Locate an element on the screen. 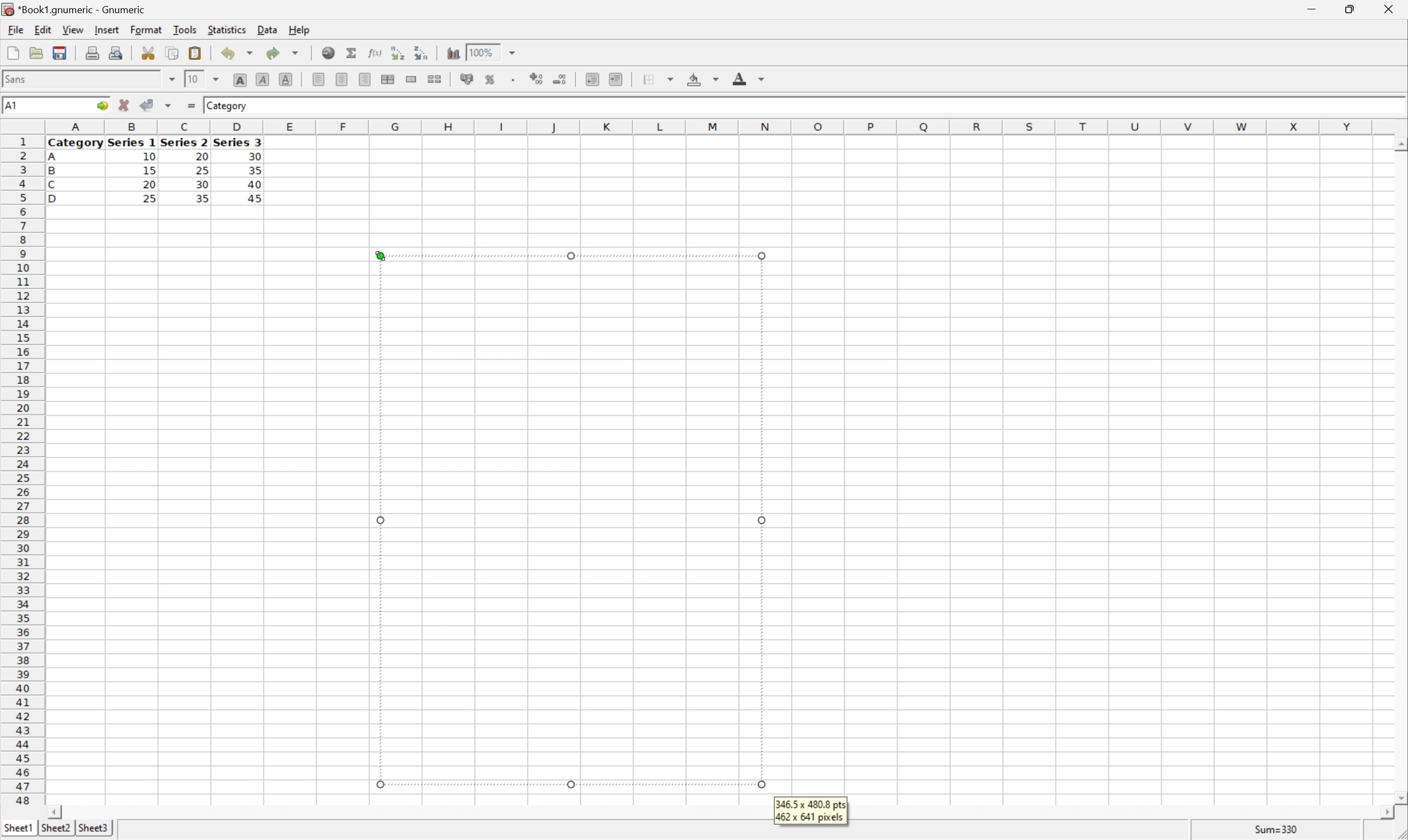 The width and height of the screenshot is (1408, 840). Go to is located at coordinates (100, 105).